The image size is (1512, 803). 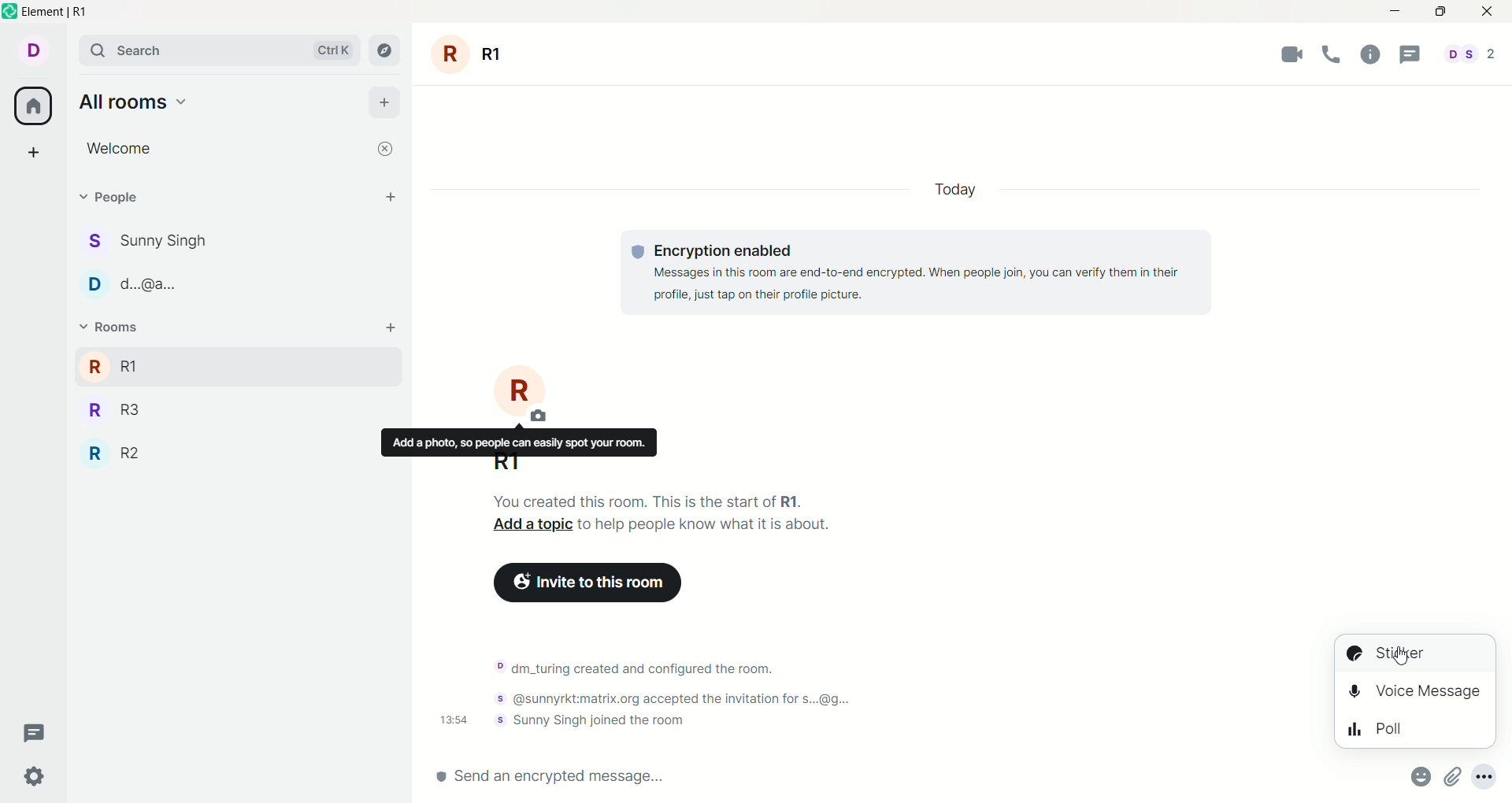 I want to click on Notification, so click(x=589, y=720).